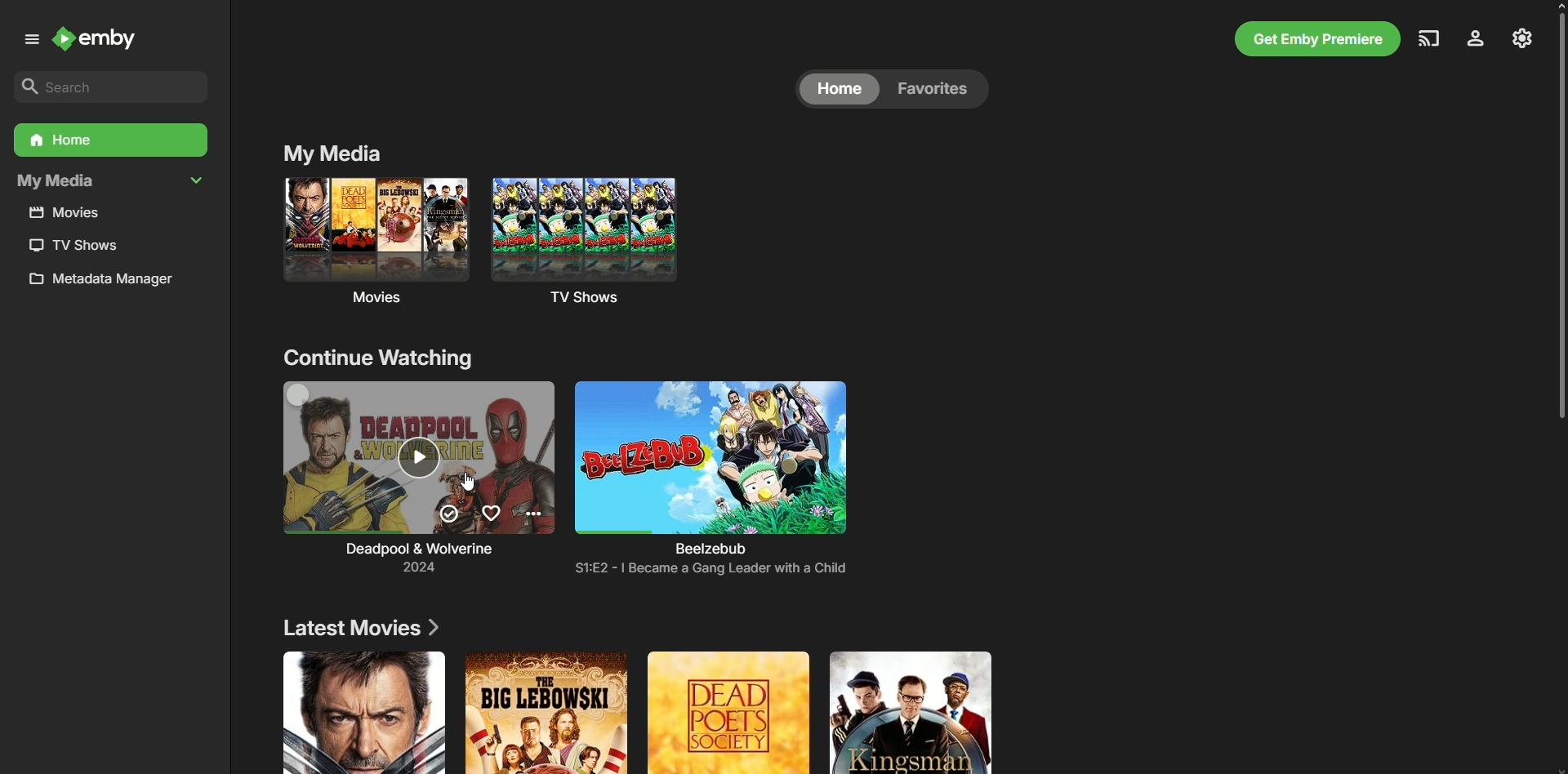 The height and width of the screenshot is (774, 1568). Describe the element at coordinates (839, 89) in the screenshot. I see `Home` at that location.